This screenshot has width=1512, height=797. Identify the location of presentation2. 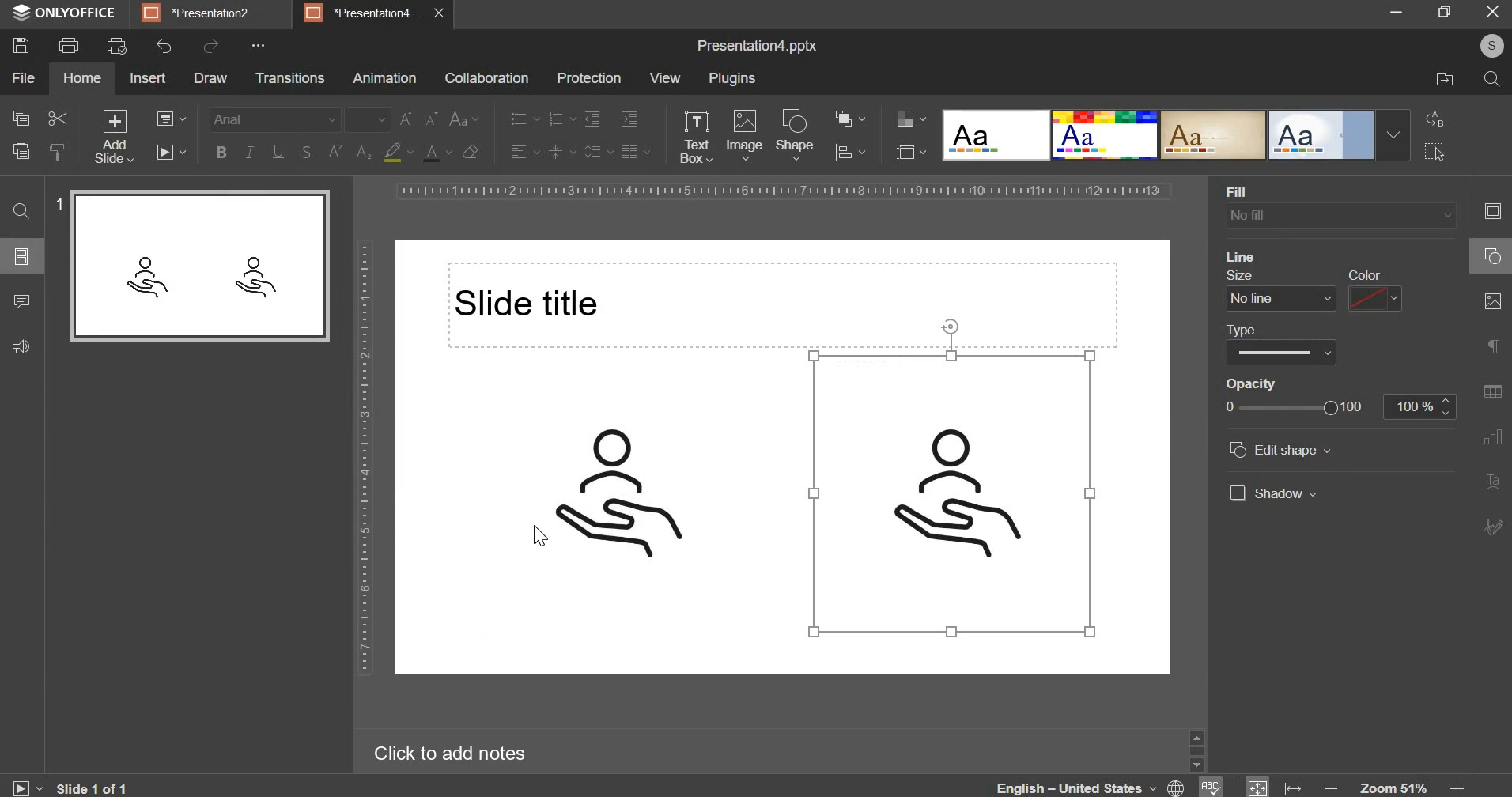
(201, 13).